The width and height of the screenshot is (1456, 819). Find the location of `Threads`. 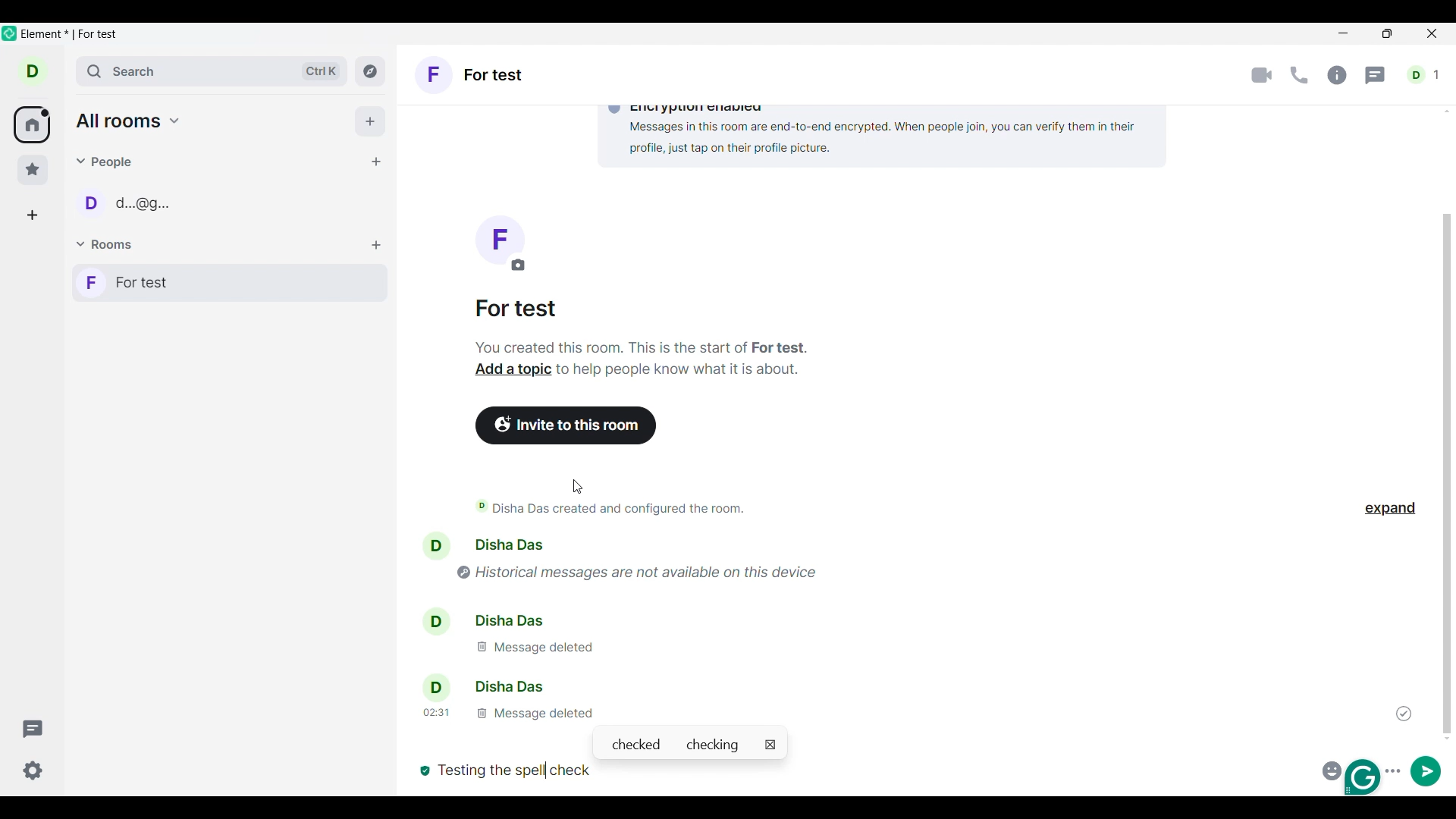

Threads is located at coordinates (1376, 76).